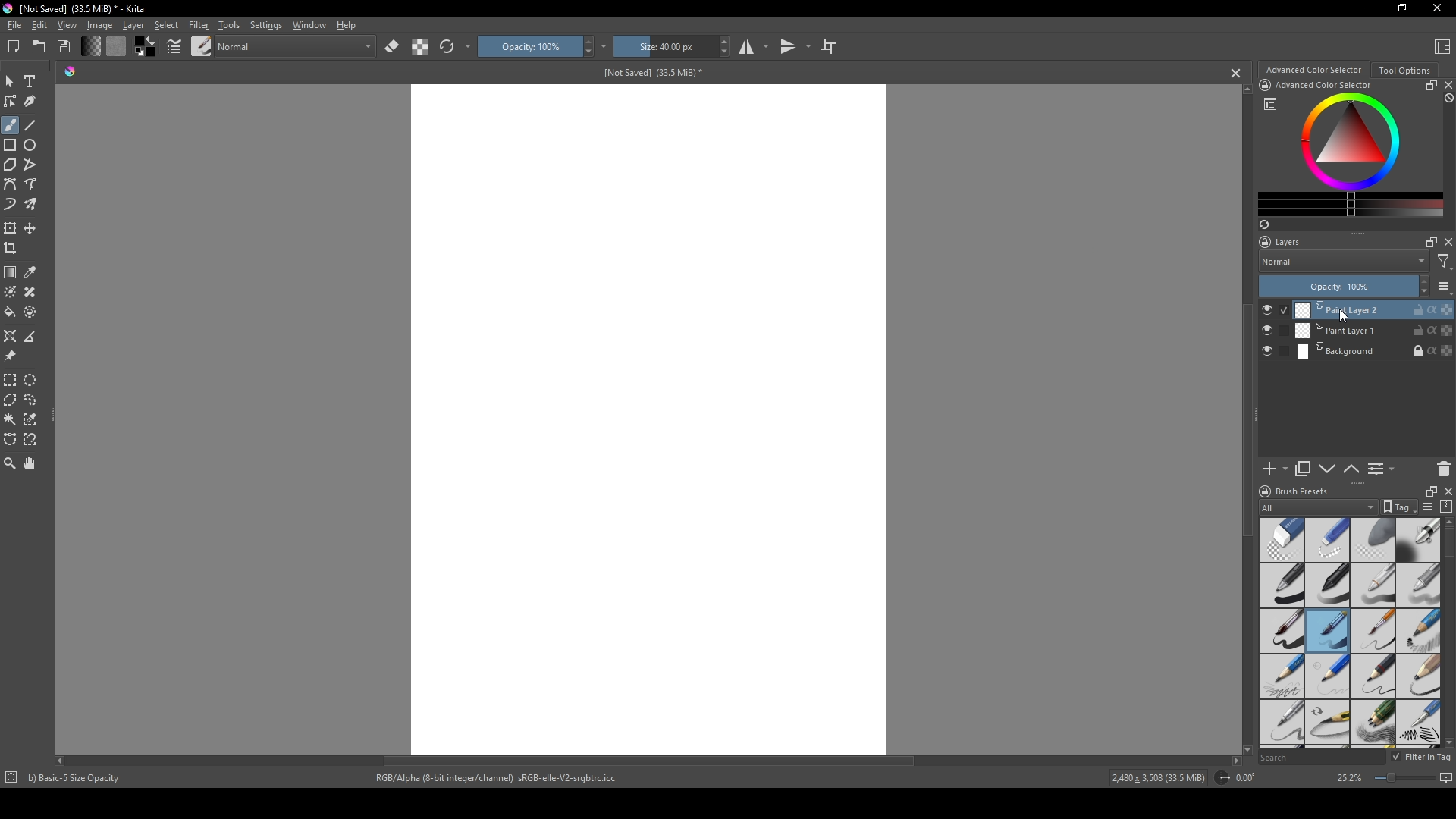  What do you see at coordinates (1324, 86) in the screenshot?
I see `Advanced Color Selector` at bounding box center [1324, 86].